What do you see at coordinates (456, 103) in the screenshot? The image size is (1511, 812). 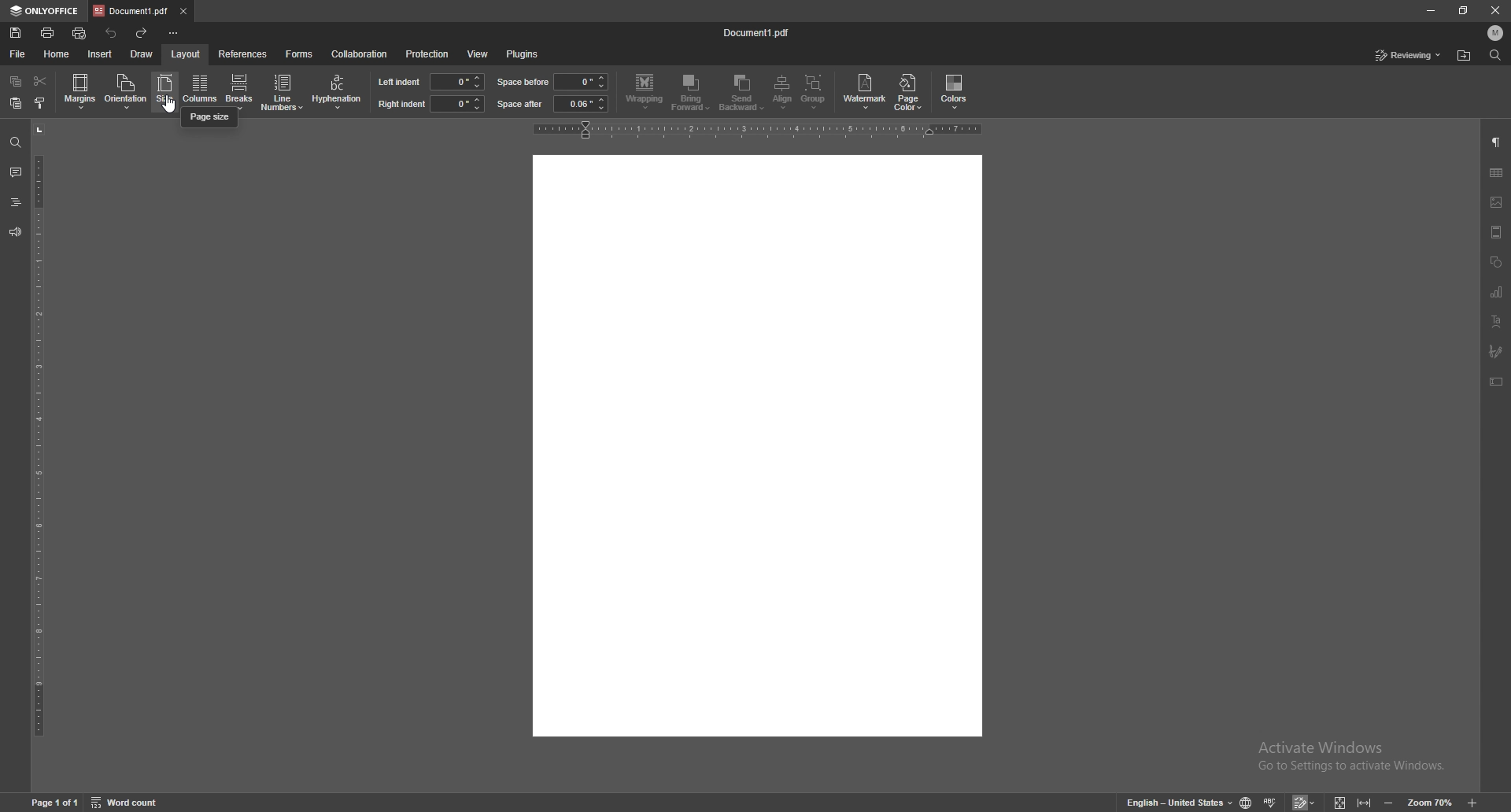 I see `input right indent` at bounding box center [456, 103].